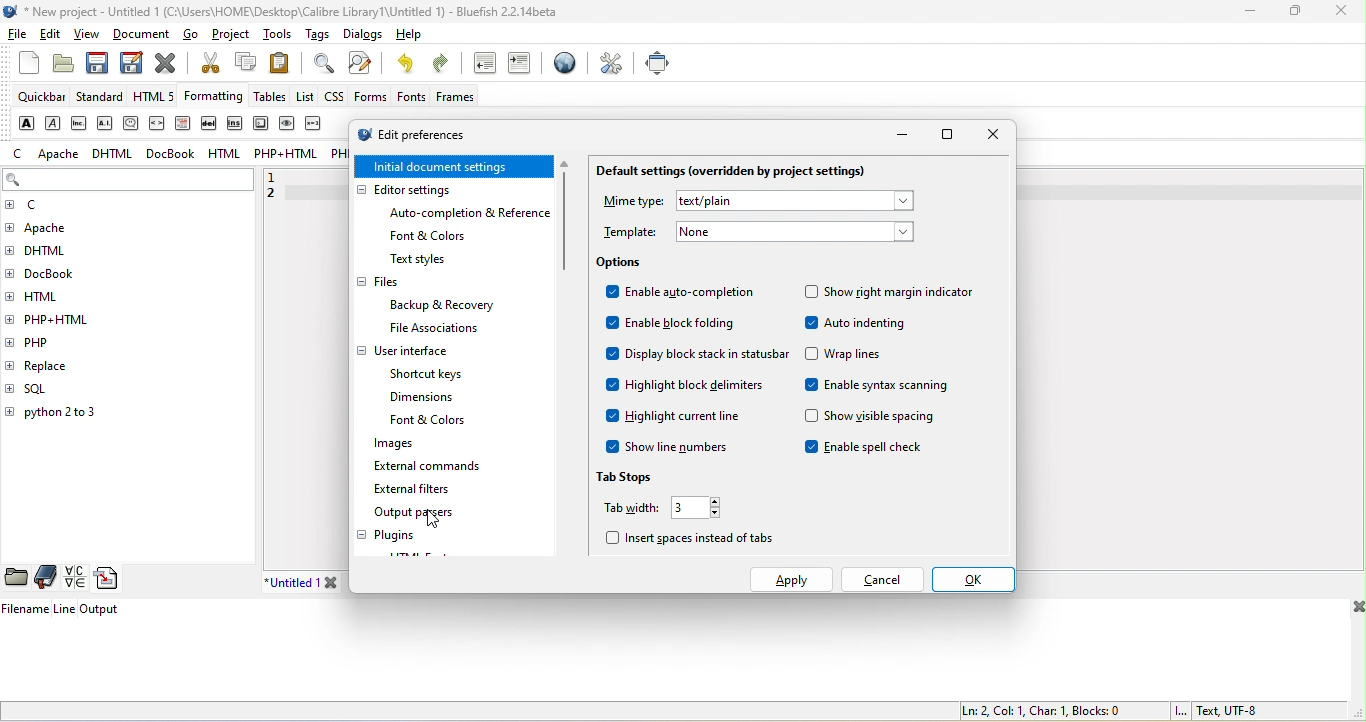  What do you see at coordinates (53, 254) in the screenshot?
I see `dhtml` at bounding box center [53, 254].